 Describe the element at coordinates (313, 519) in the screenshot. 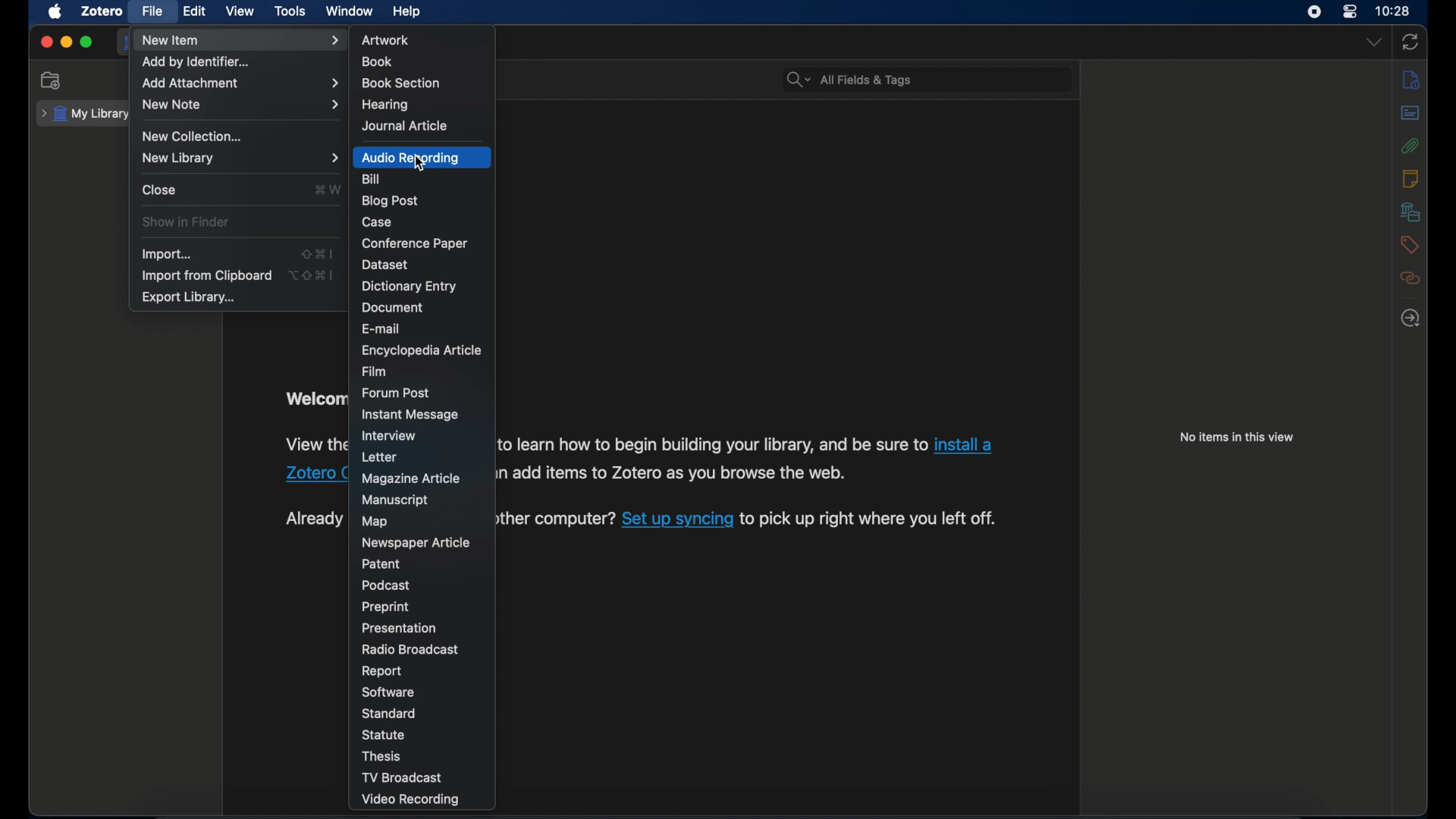

I see `obscure text` at that location.